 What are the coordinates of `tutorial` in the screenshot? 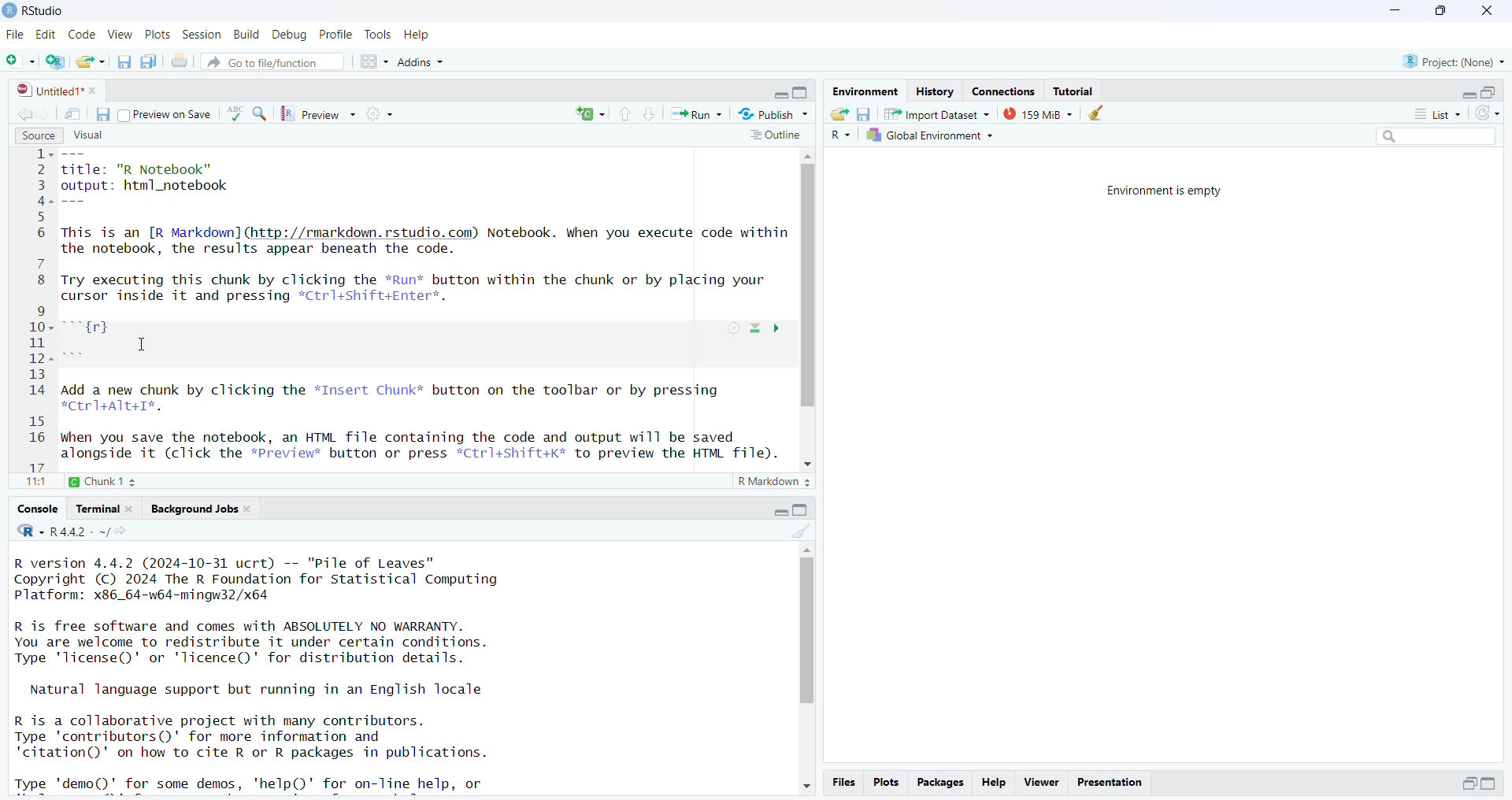 It's located at (1075, 91).